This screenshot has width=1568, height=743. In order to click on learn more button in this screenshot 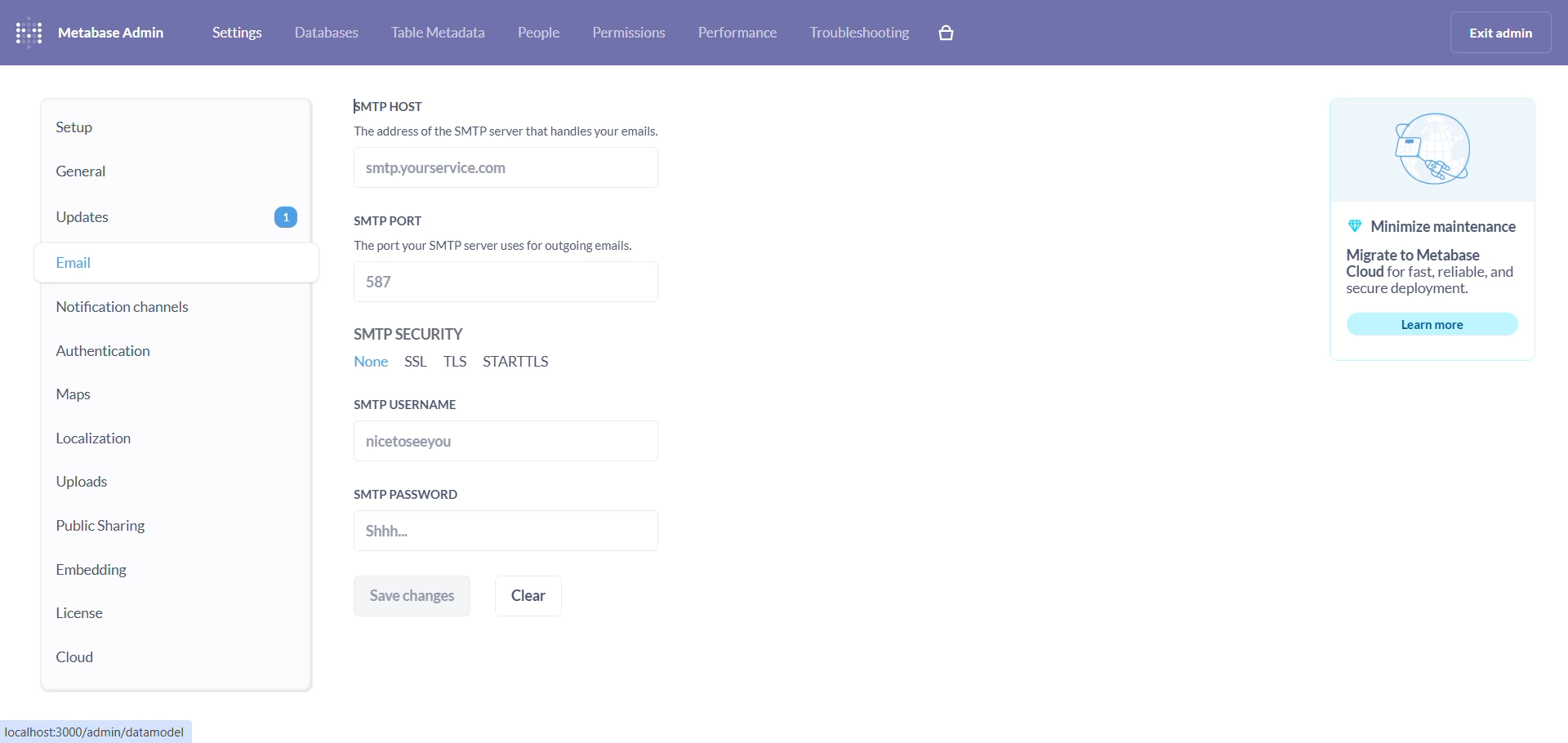, I will do `click(1419, 325)`.